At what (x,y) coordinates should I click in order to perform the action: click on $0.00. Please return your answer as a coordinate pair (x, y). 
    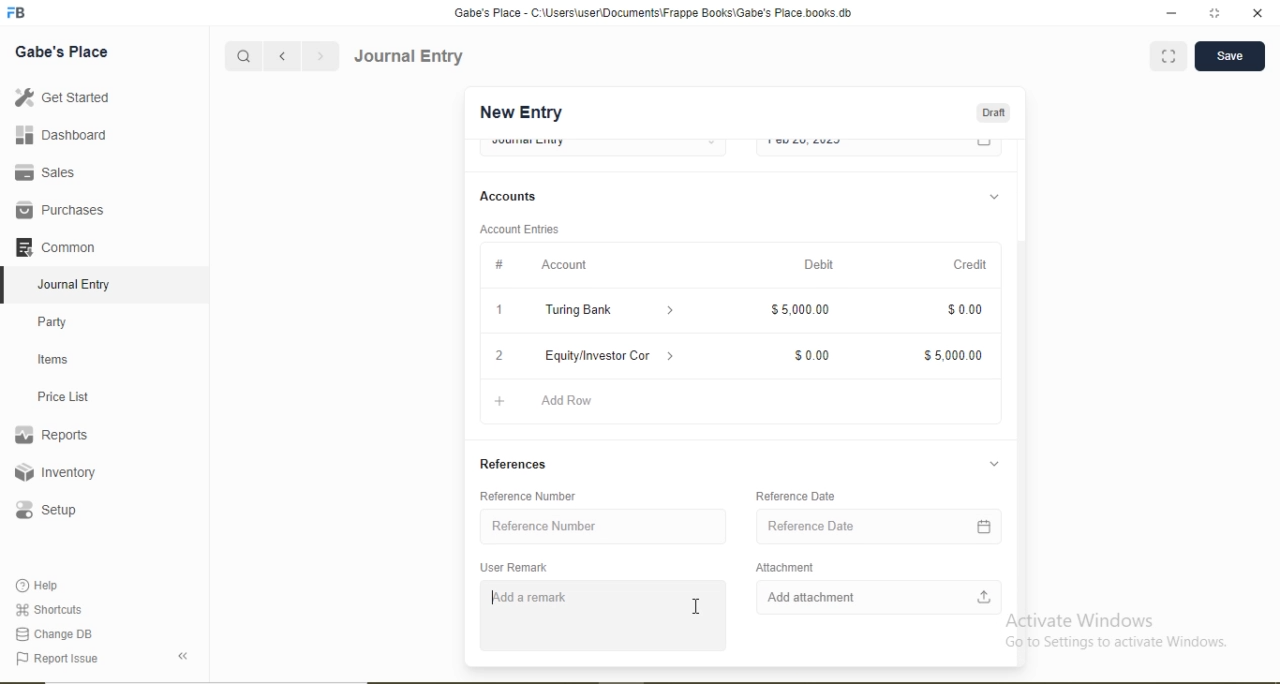
    Looking at the image, I should click on (964, 308).